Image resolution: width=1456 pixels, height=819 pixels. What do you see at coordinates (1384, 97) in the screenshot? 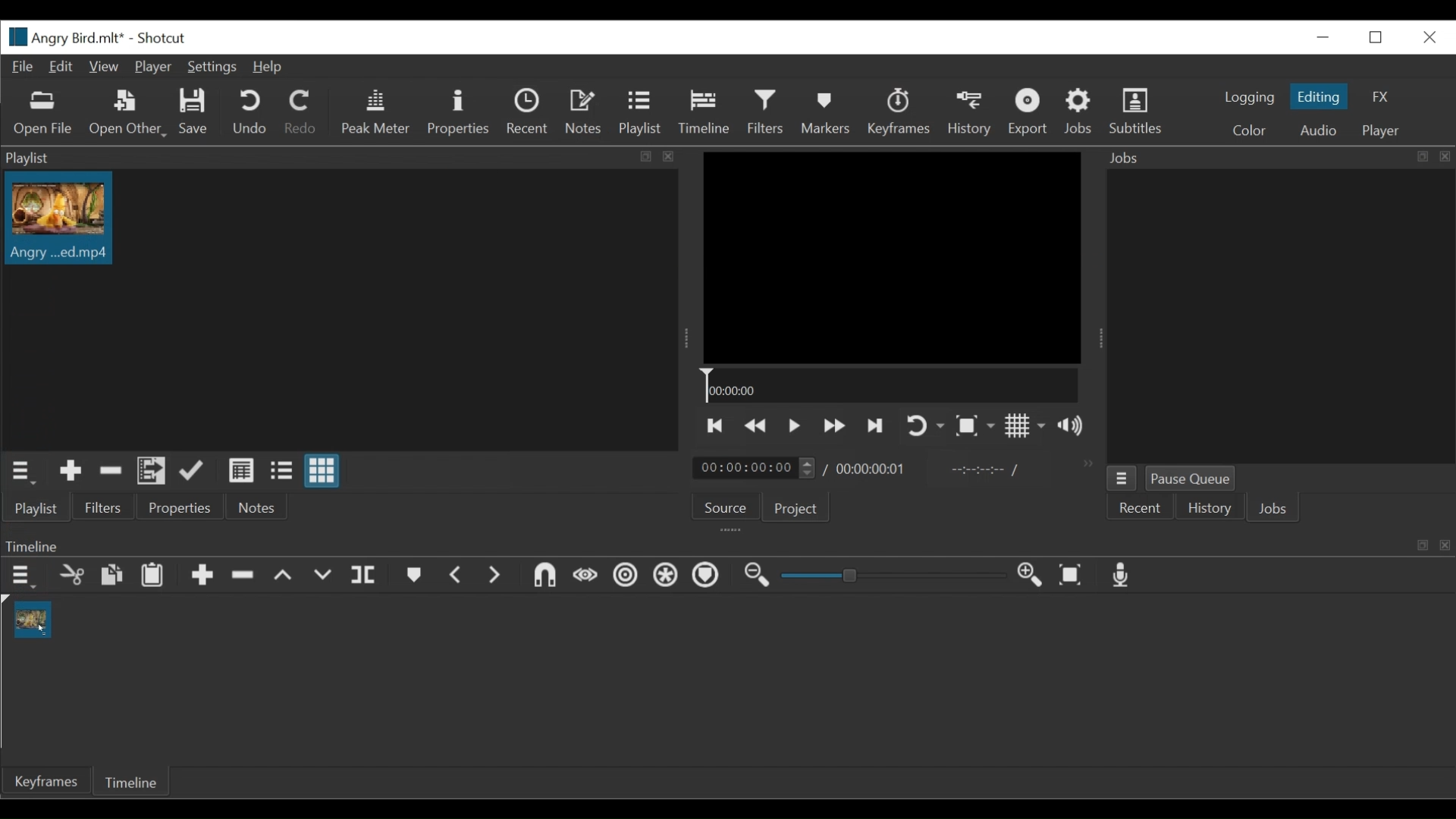
I see `FX` at bounding box center [1384, 97].